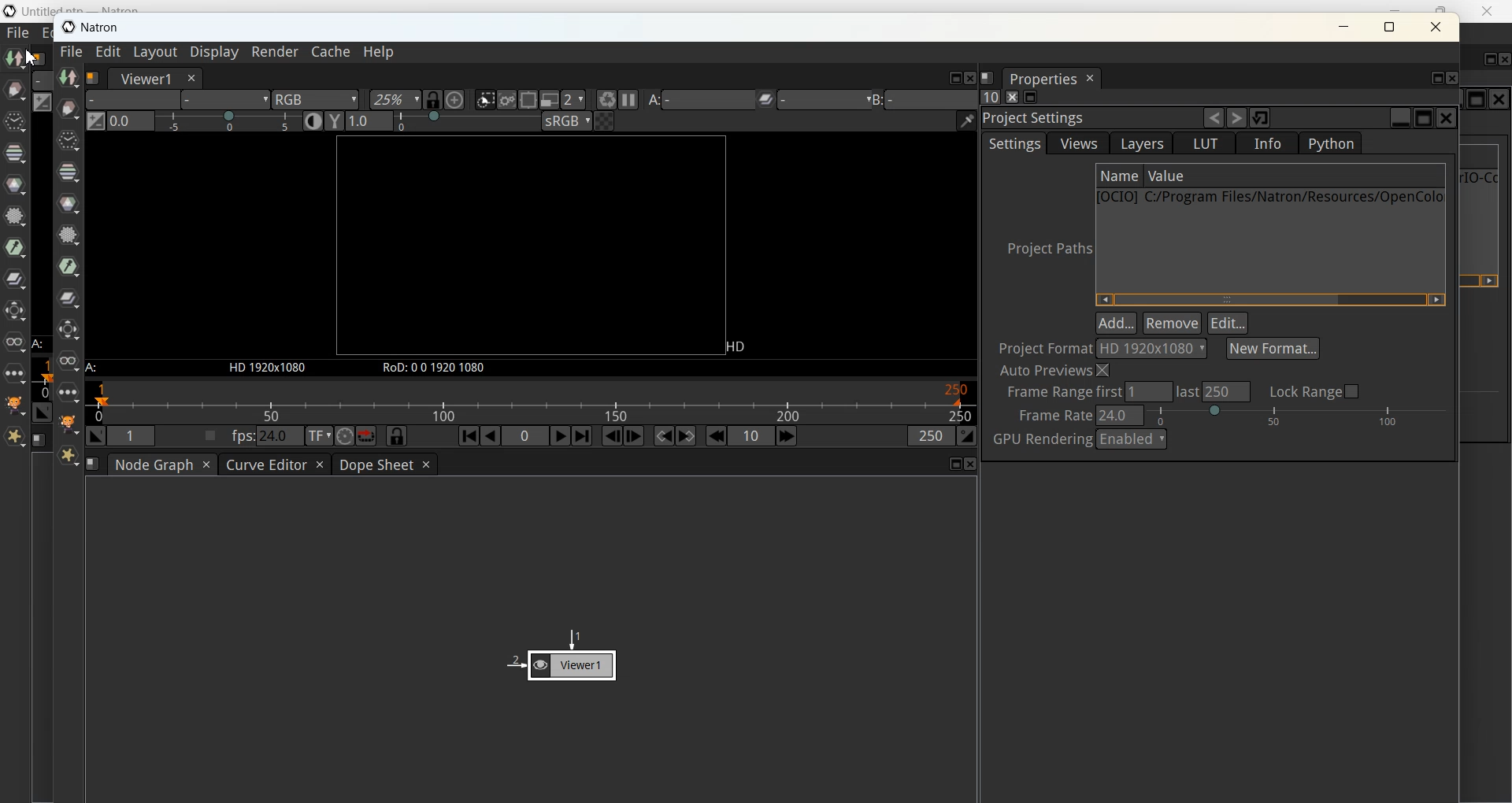  I want to click on Transform, so click(15, 311).